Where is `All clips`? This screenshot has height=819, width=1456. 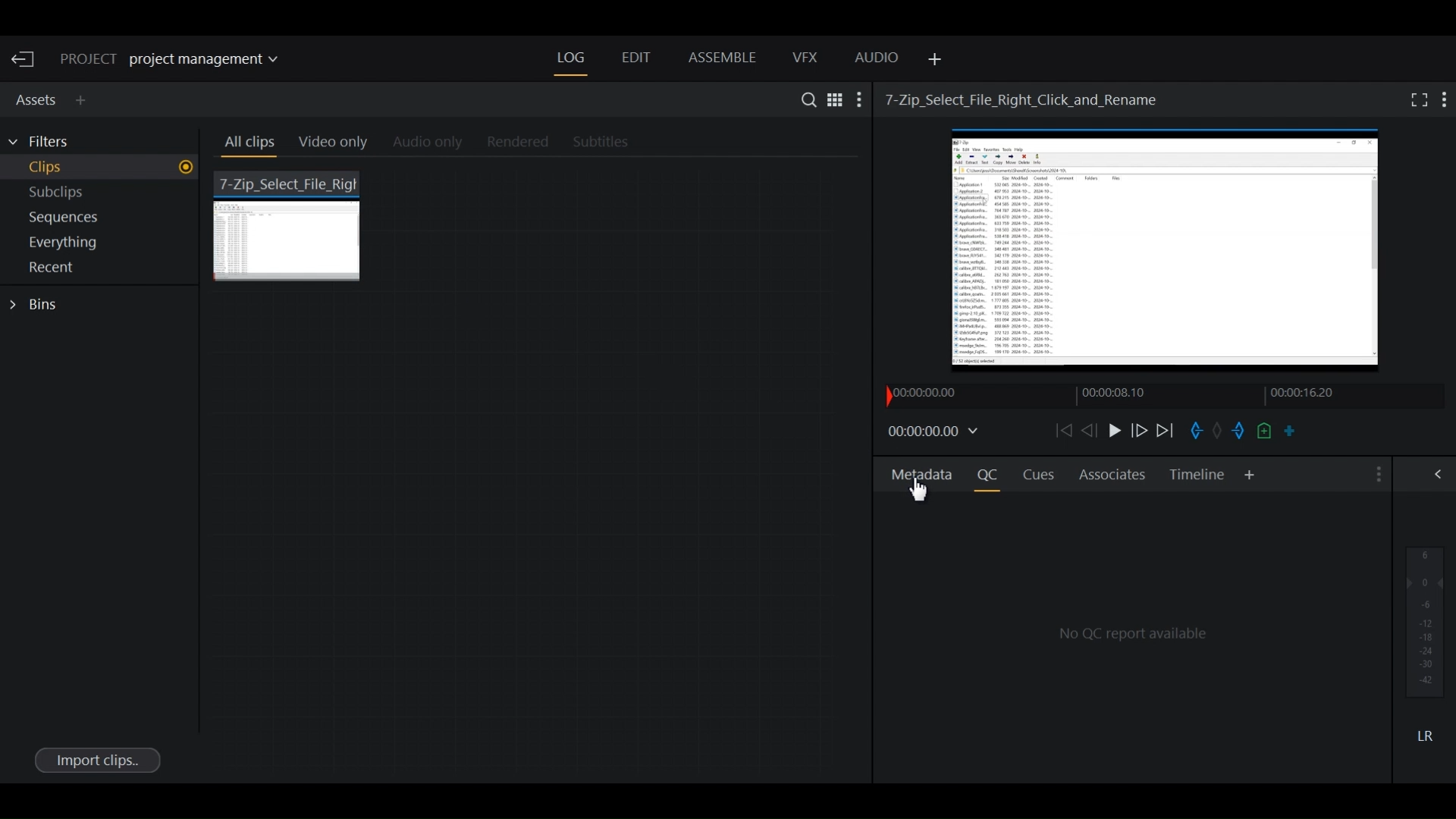
All clips is located at coordinates (247, 145).